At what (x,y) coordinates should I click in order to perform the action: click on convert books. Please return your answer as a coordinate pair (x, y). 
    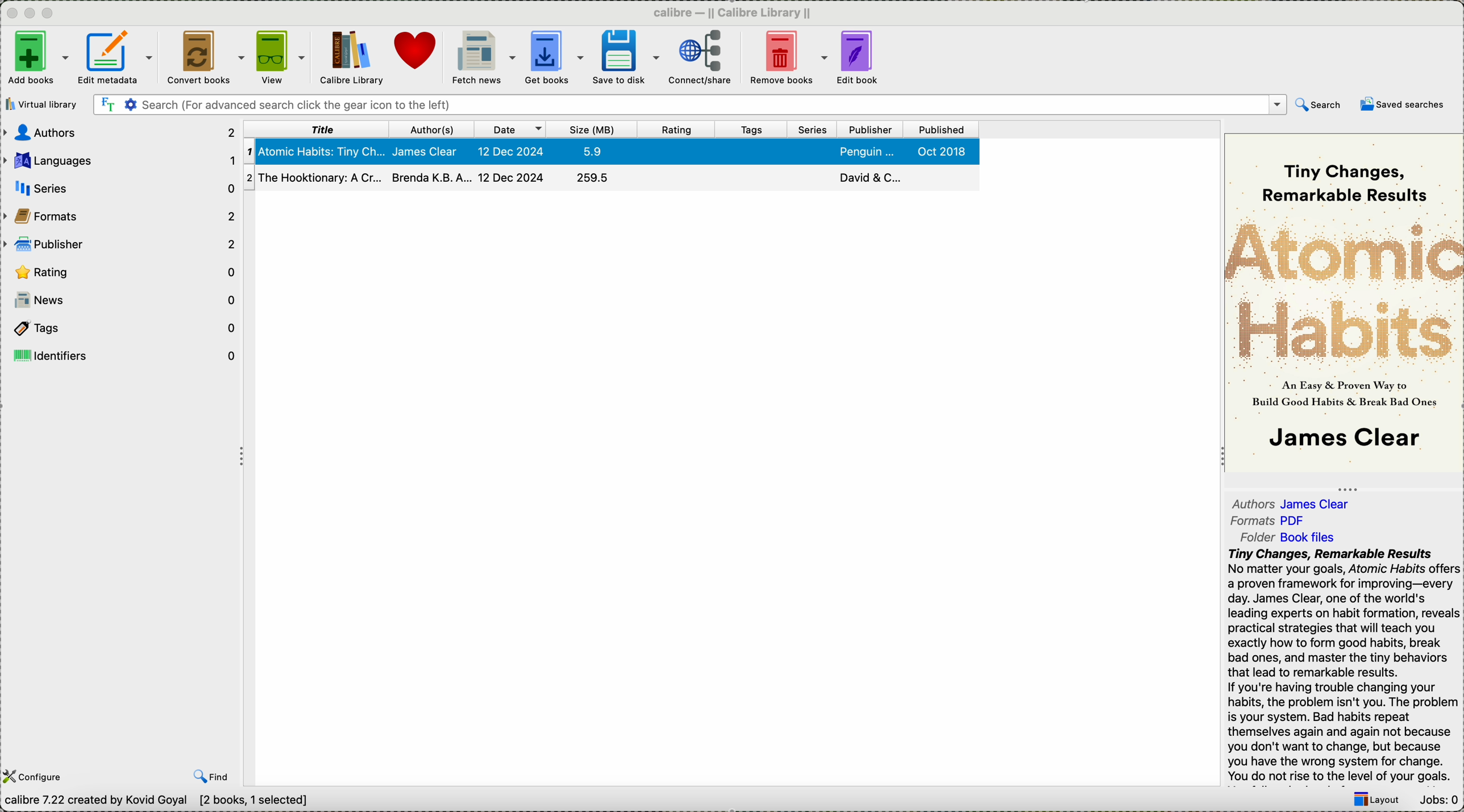
    Looking at the image, I should click on (204, 55).